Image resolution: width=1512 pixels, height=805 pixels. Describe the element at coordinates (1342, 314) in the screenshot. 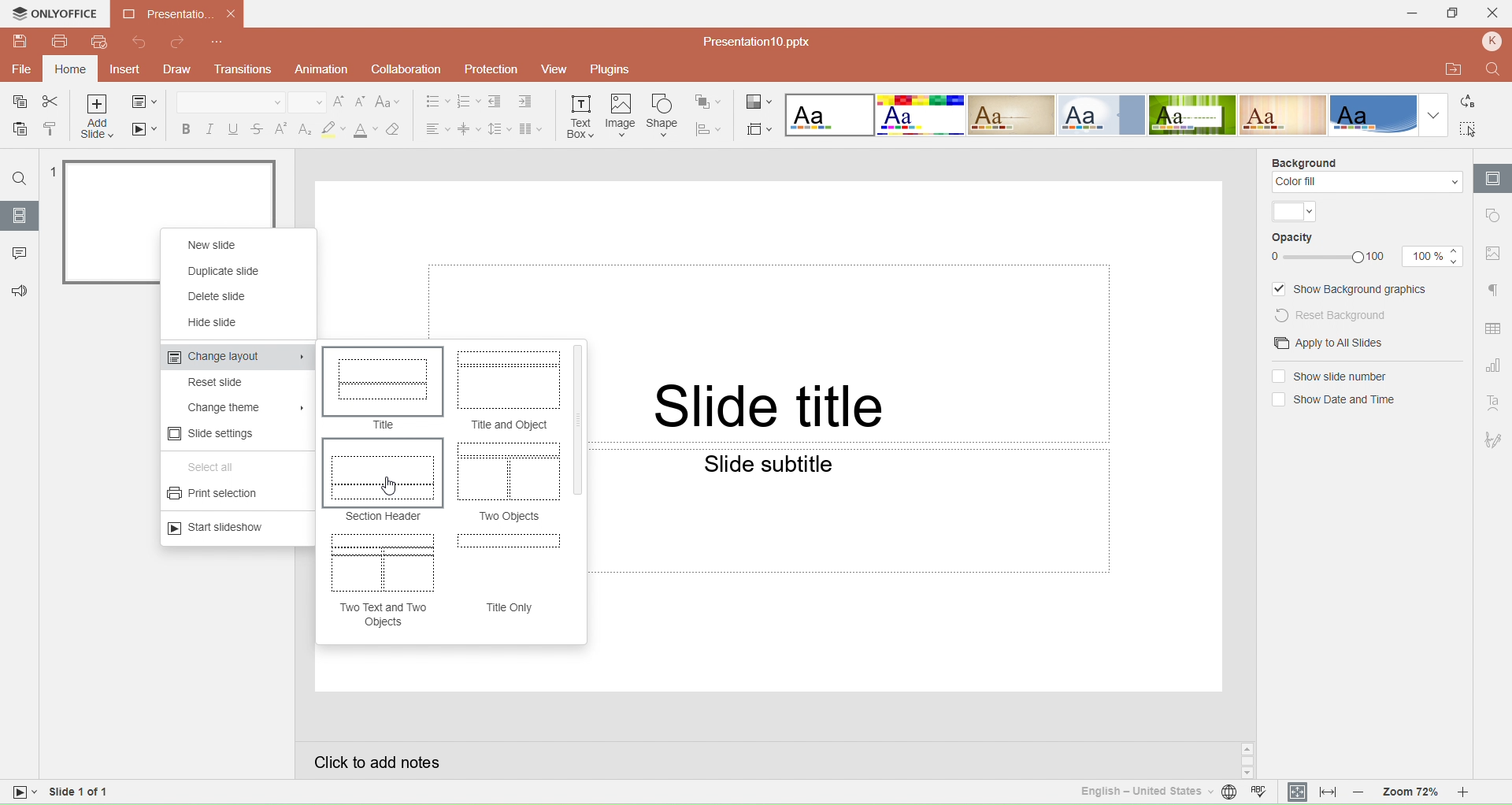

I see `Rest background` at that location.